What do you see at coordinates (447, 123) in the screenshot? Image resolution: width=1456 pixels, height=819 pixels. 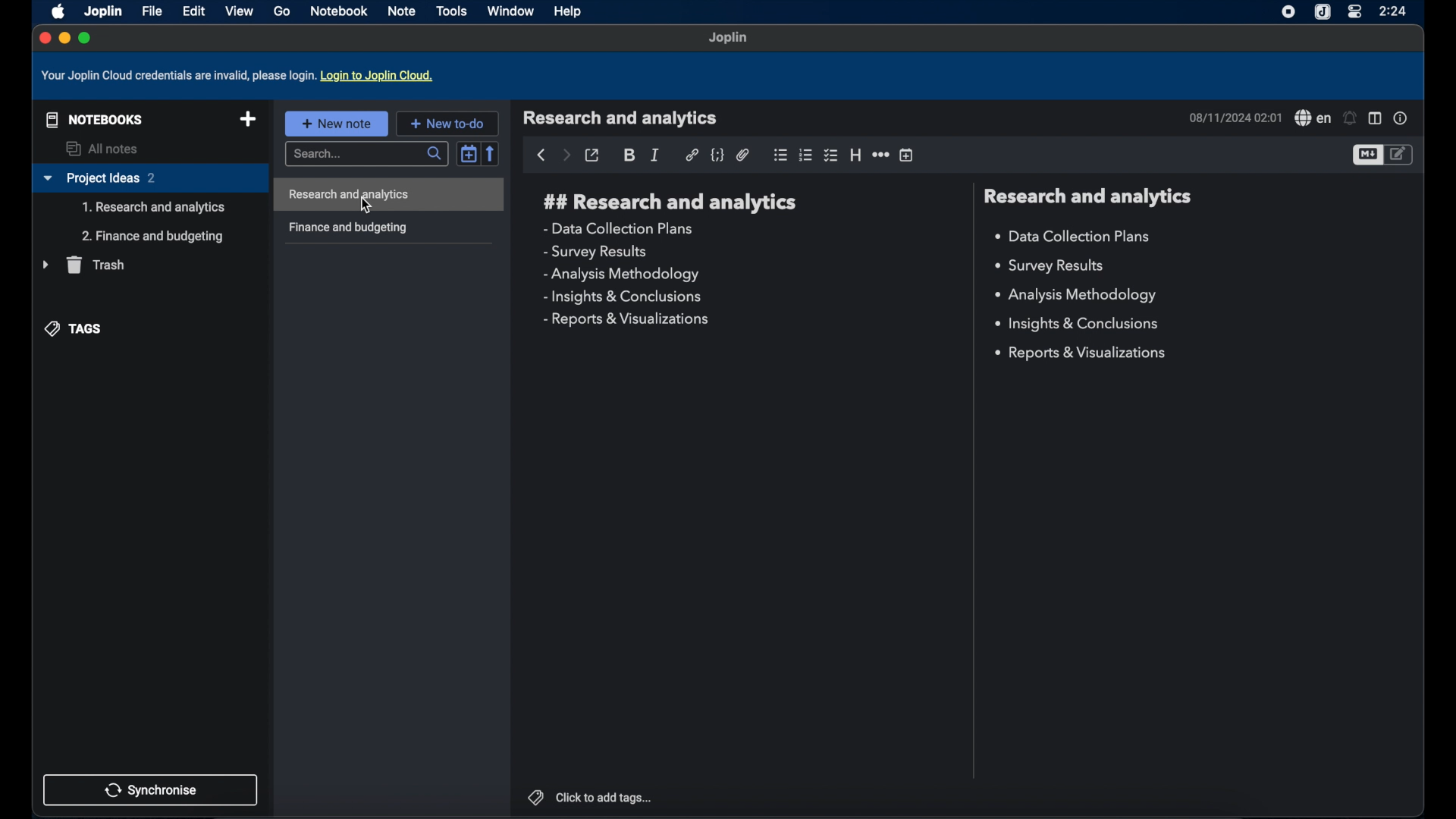 I see `new to-do` at bounding box center [447, 123].